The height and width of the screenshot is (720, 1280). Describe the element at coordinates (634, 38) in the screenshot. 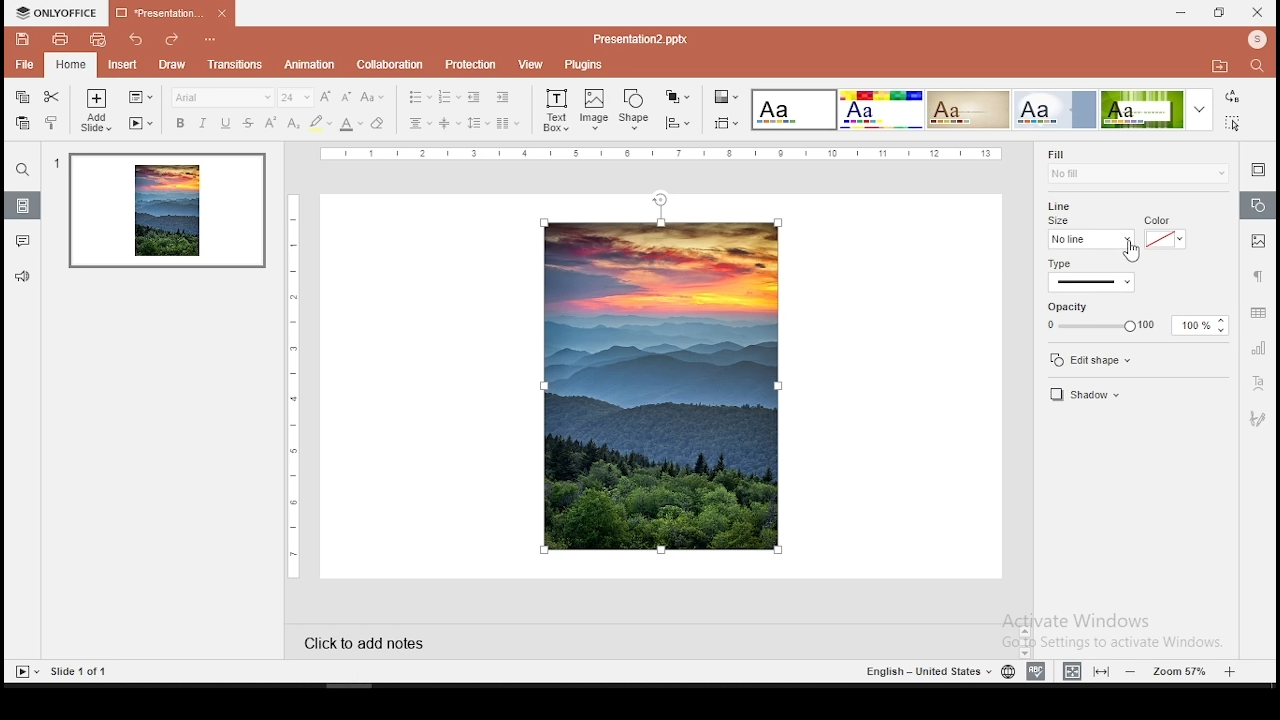

I see `presentation2.pptx` at that location.